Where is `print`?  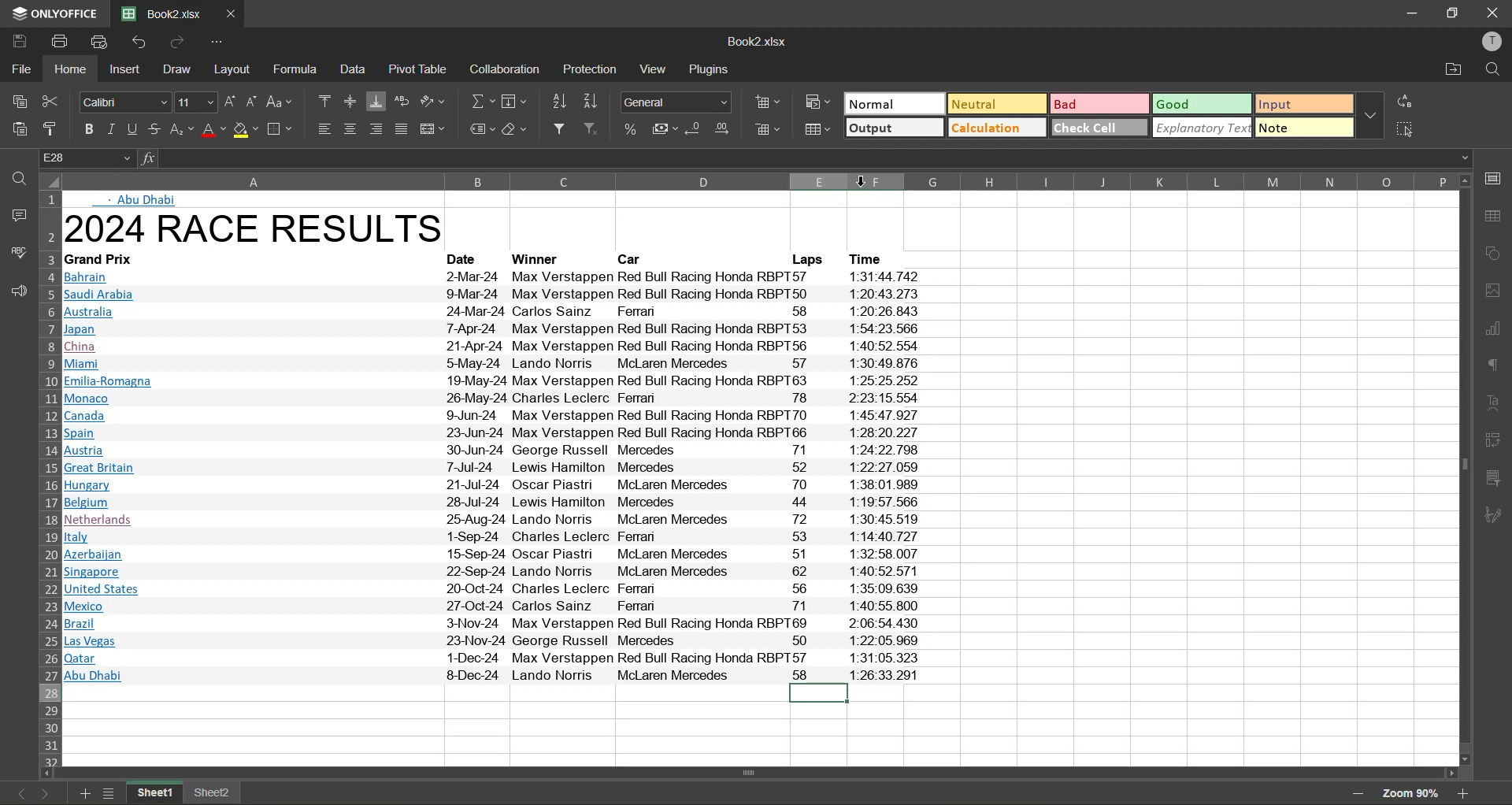 print is located at coordinates (61, 42).